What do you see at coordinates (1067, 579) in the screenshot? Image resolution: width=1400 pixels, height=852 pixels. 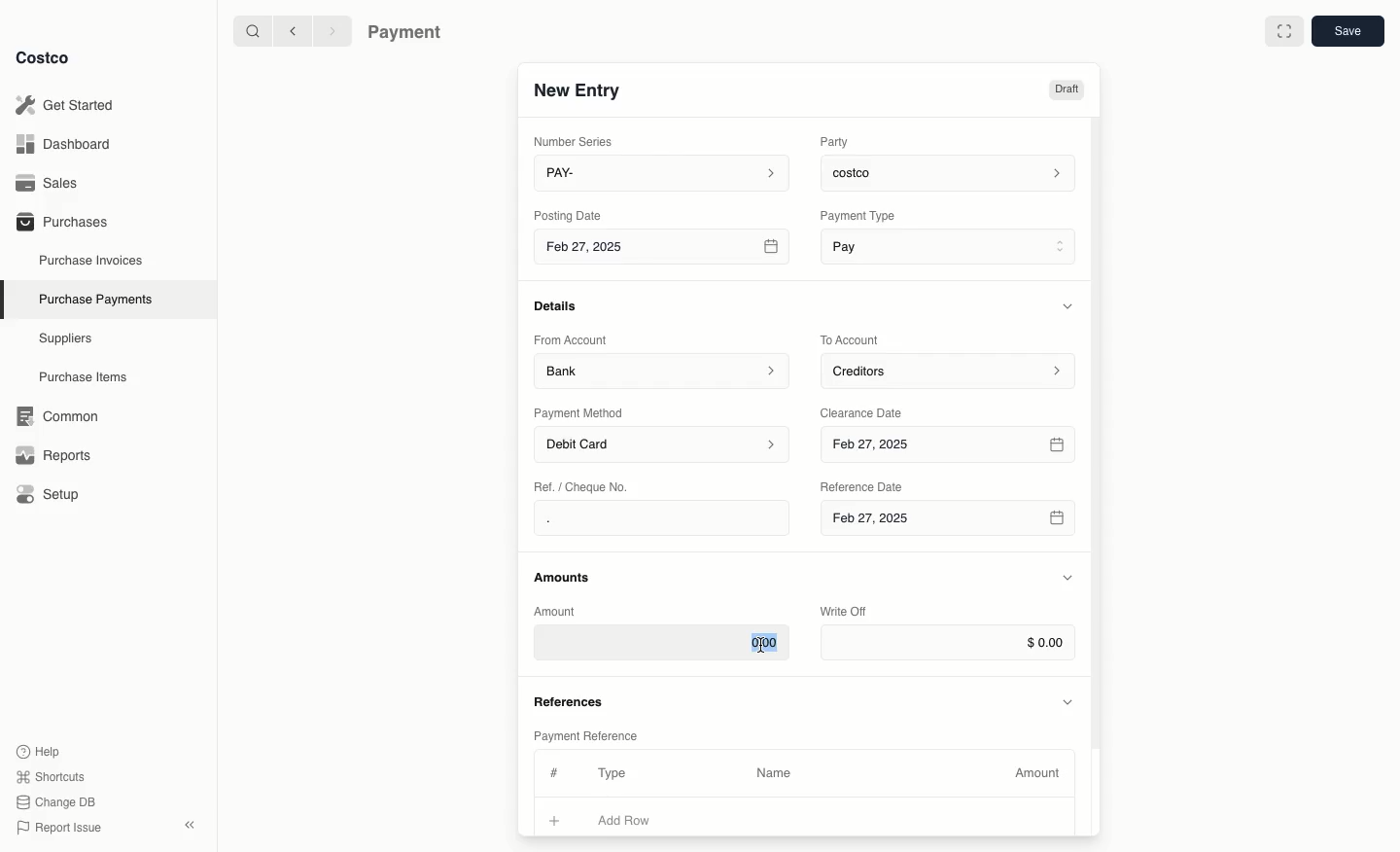 I see `Hide` at bounding box center [1067, 579].